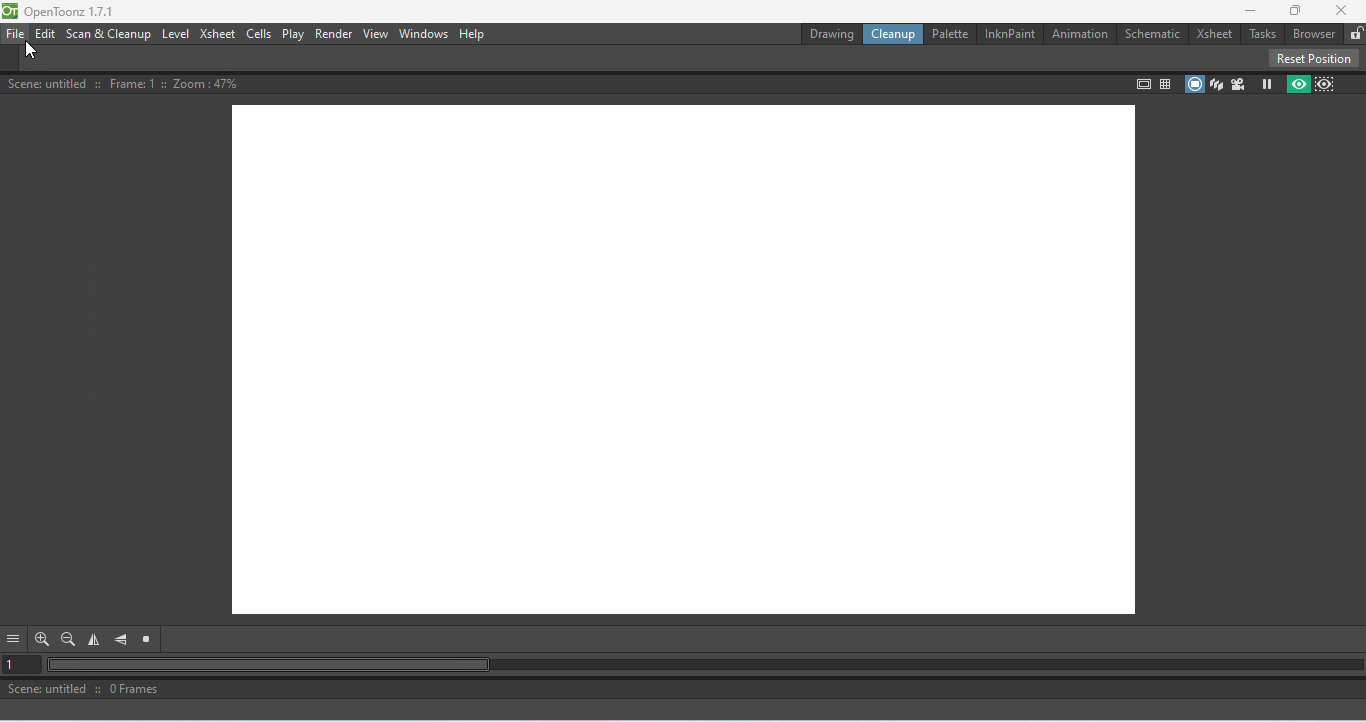  Describe the element at coordinates (1326, 84) in the screenshot. I see `Sub-camera preview` at that location.